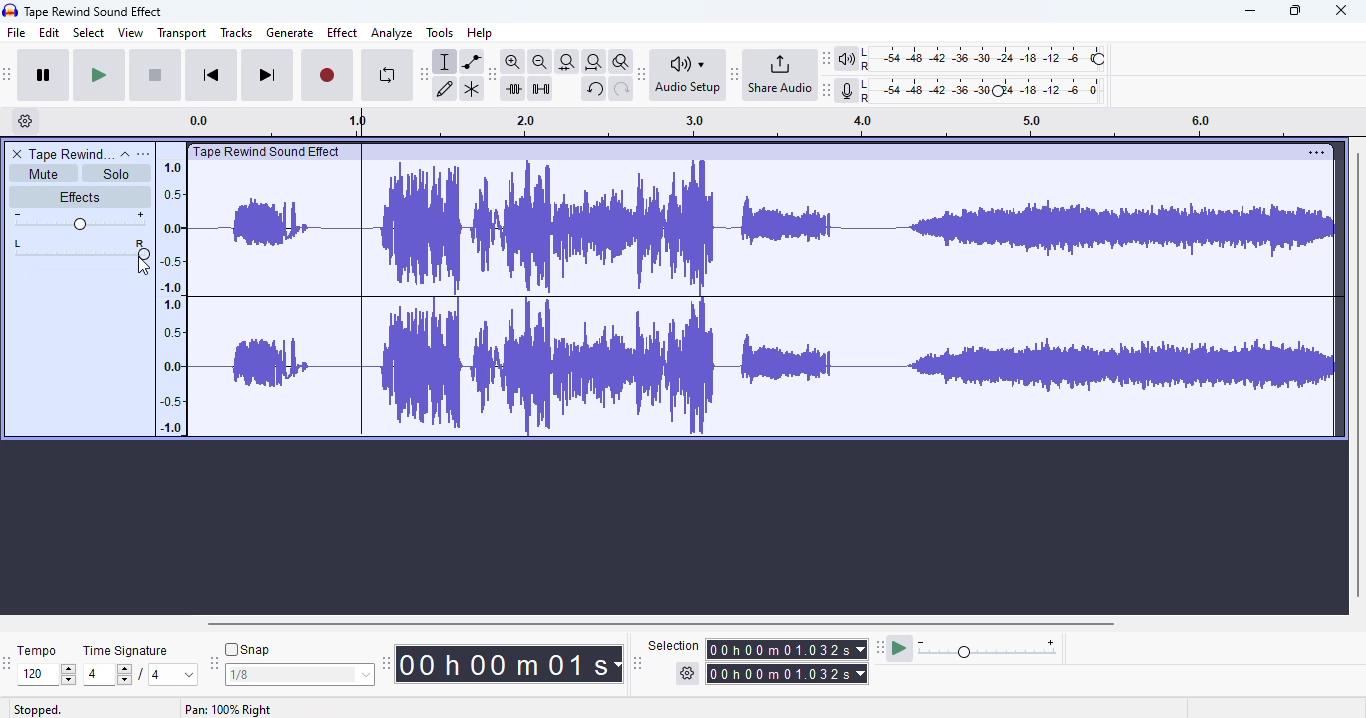  Describe the element at coordinates (622, 90) in the screenshot. I see `redo` at that location.